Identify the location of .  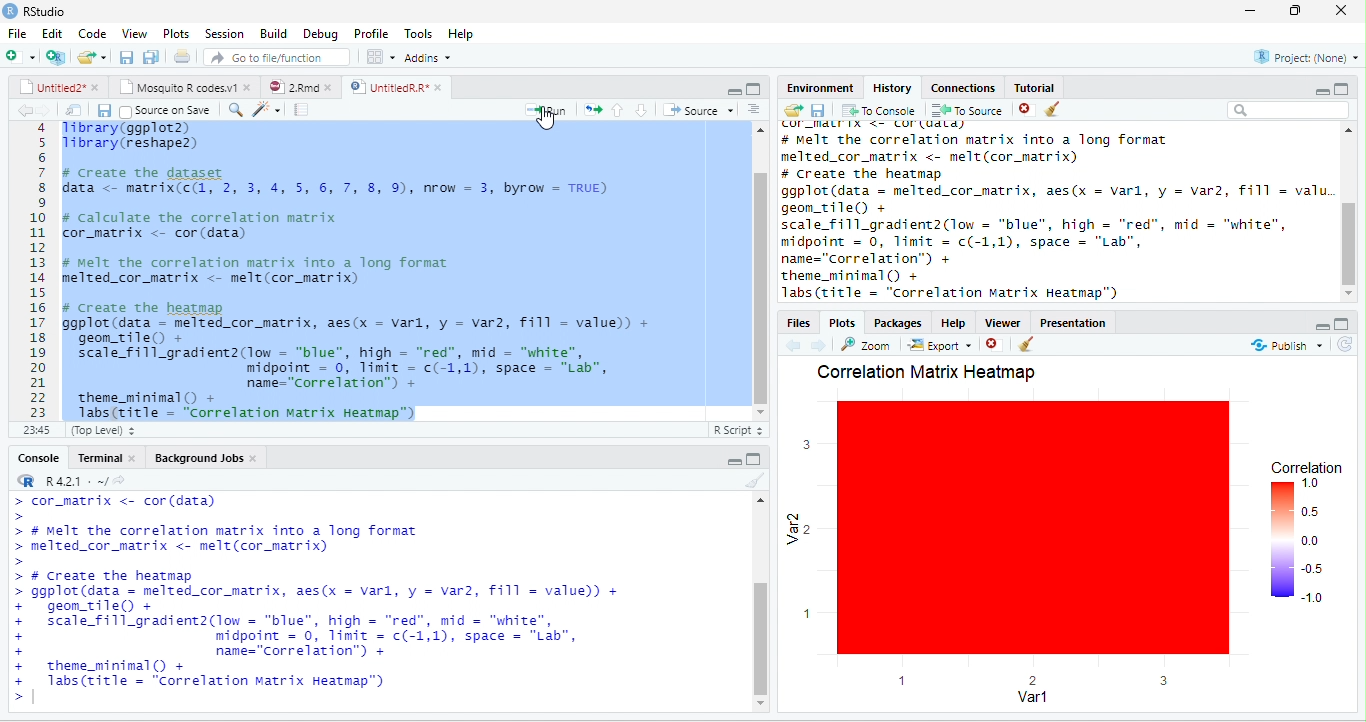
(153, 55).